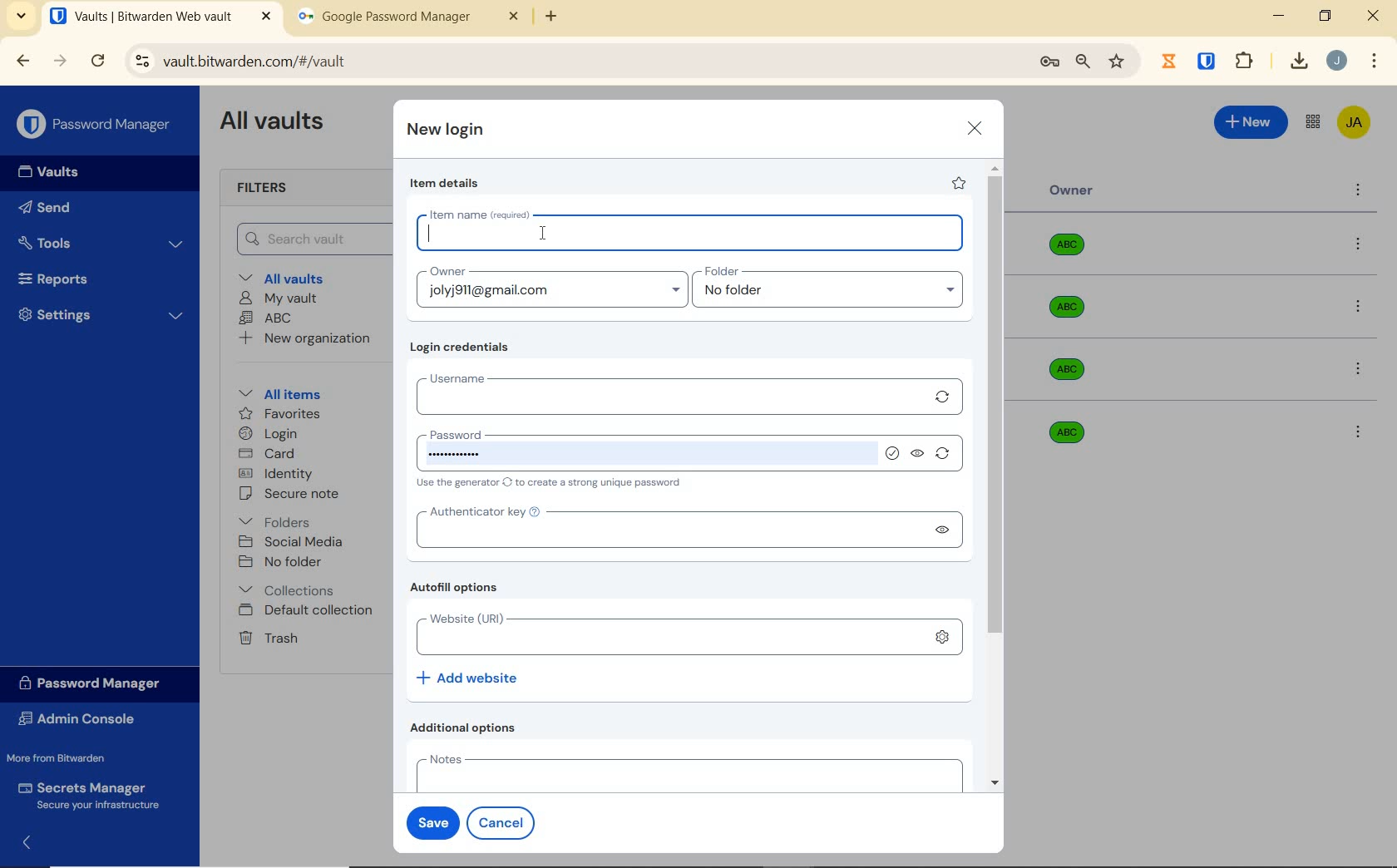 Image resolution: width=1397 pixels, height=868 pixels. Describe the element at coordinates (294, 494) in the screenshot. I see `secure note` at that location.